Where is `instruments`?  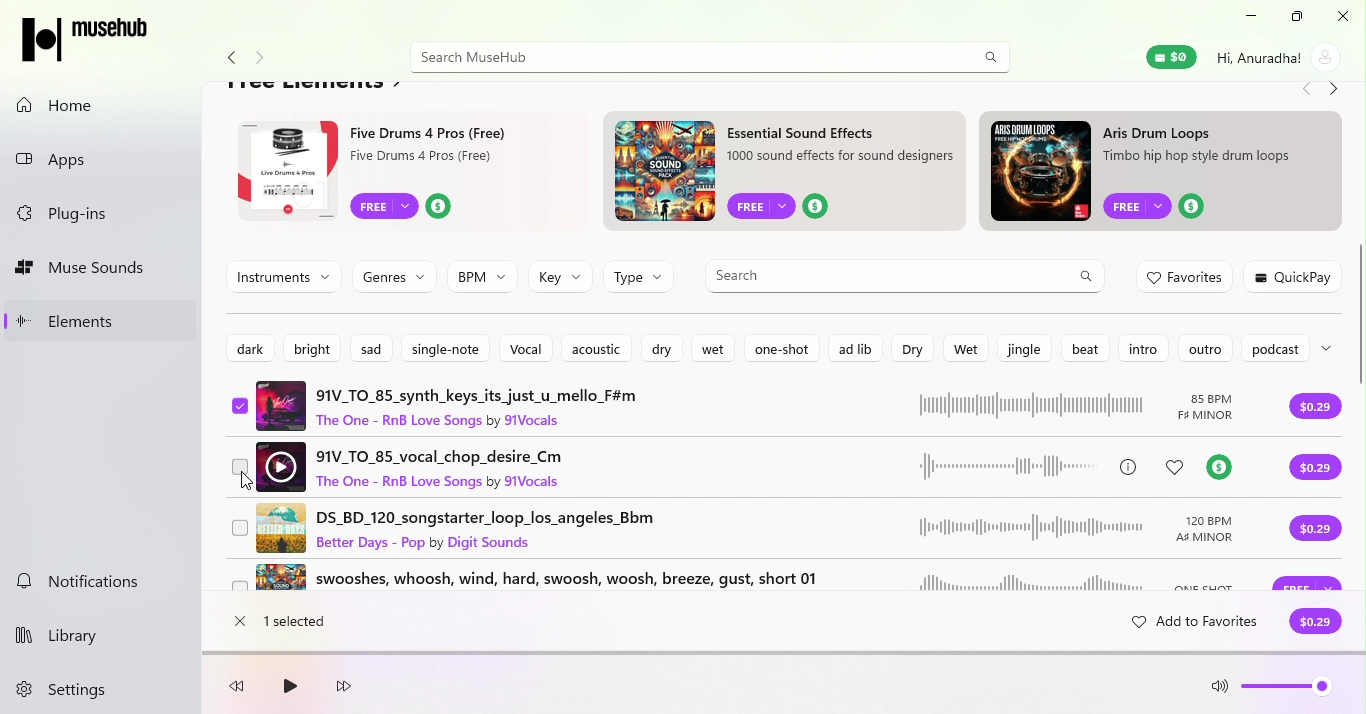
instruments is located at coordinates (284, 276).